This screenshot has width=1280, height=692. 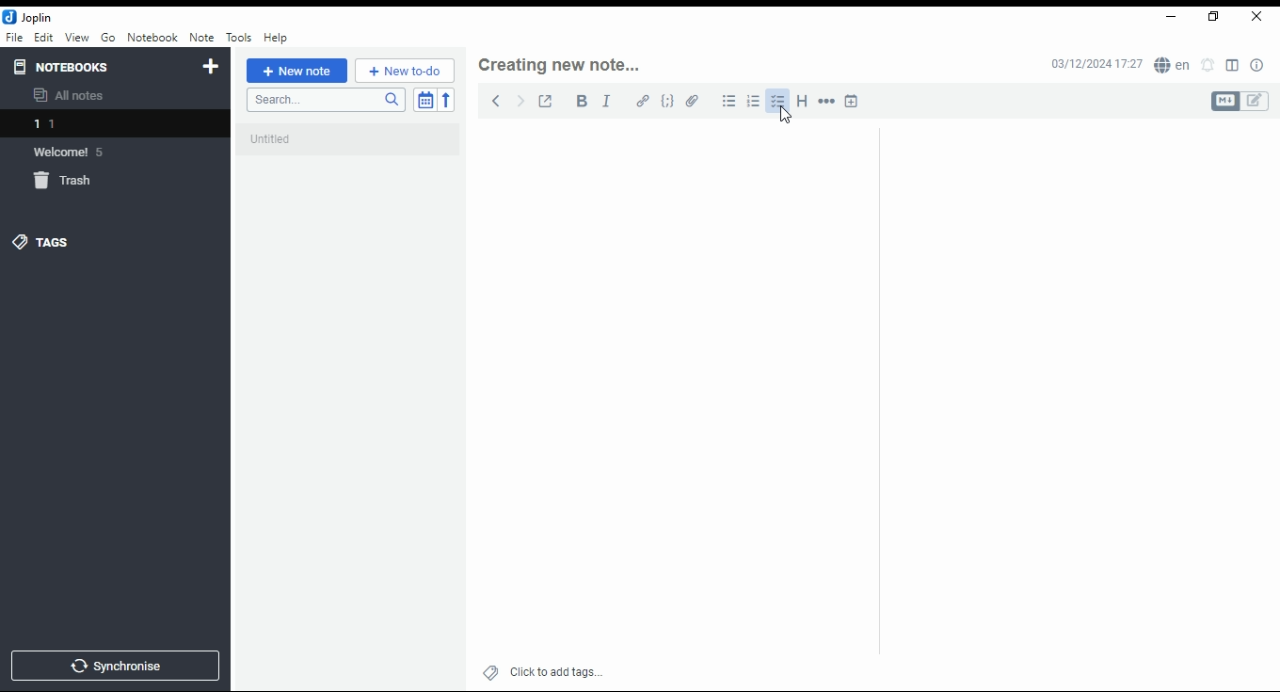 I want to click on heading, so click(x=803, y=101).